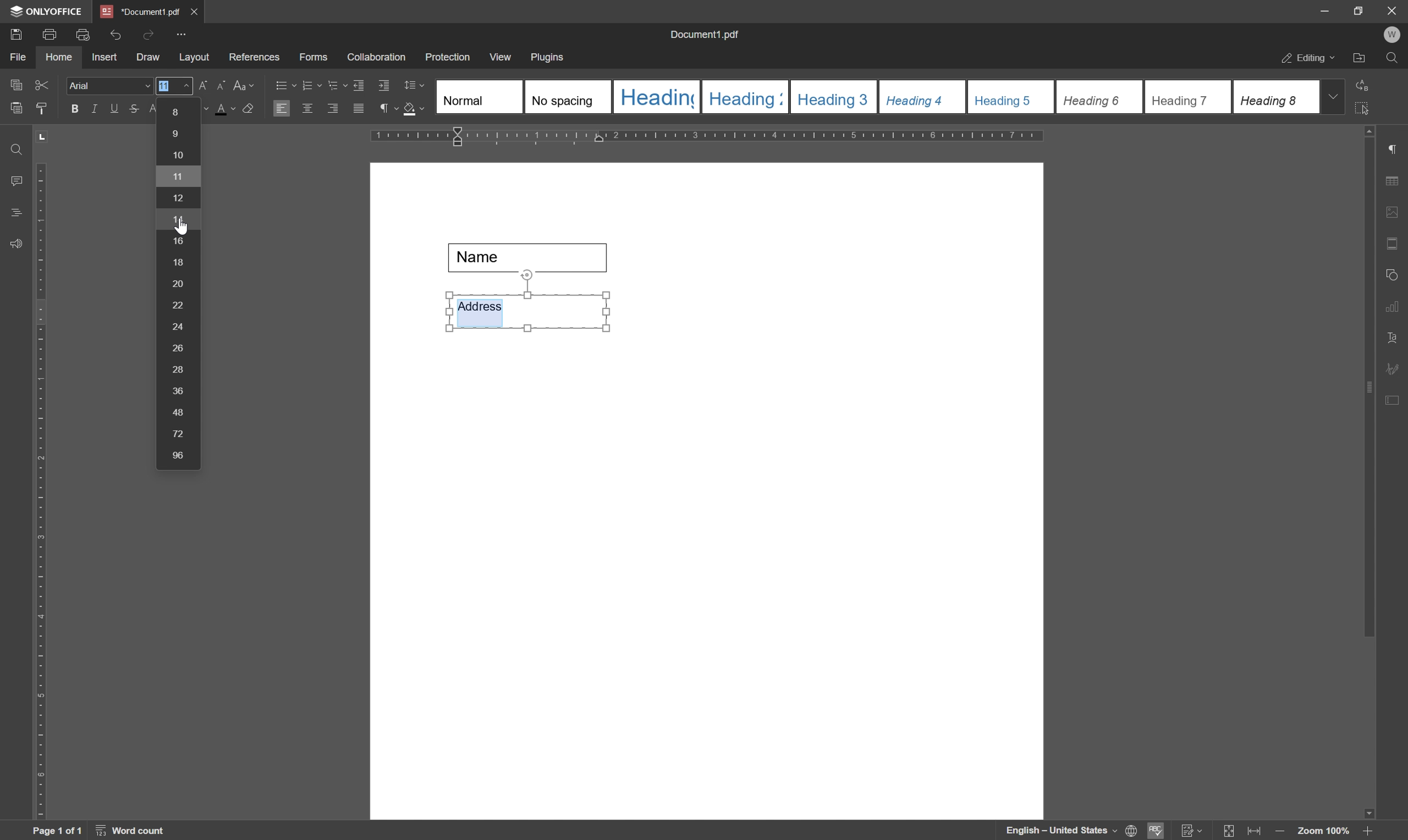  Describe the element at coordinates (1392, 10) in the screenshot. I see `close` at that location.